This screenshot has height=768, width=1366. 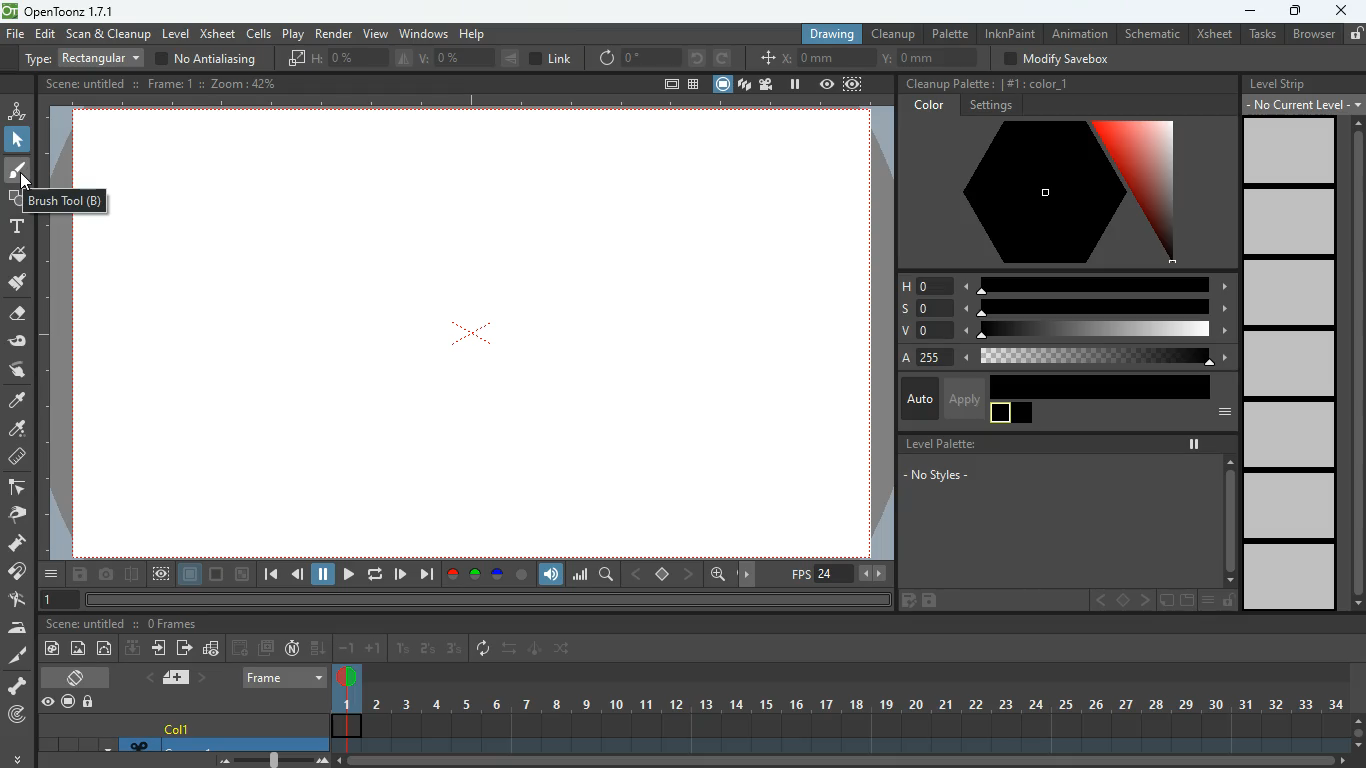 What do you see at coordinates (723, 84) in the screenshot?
I see `screen` at bounding box center [723, 84].